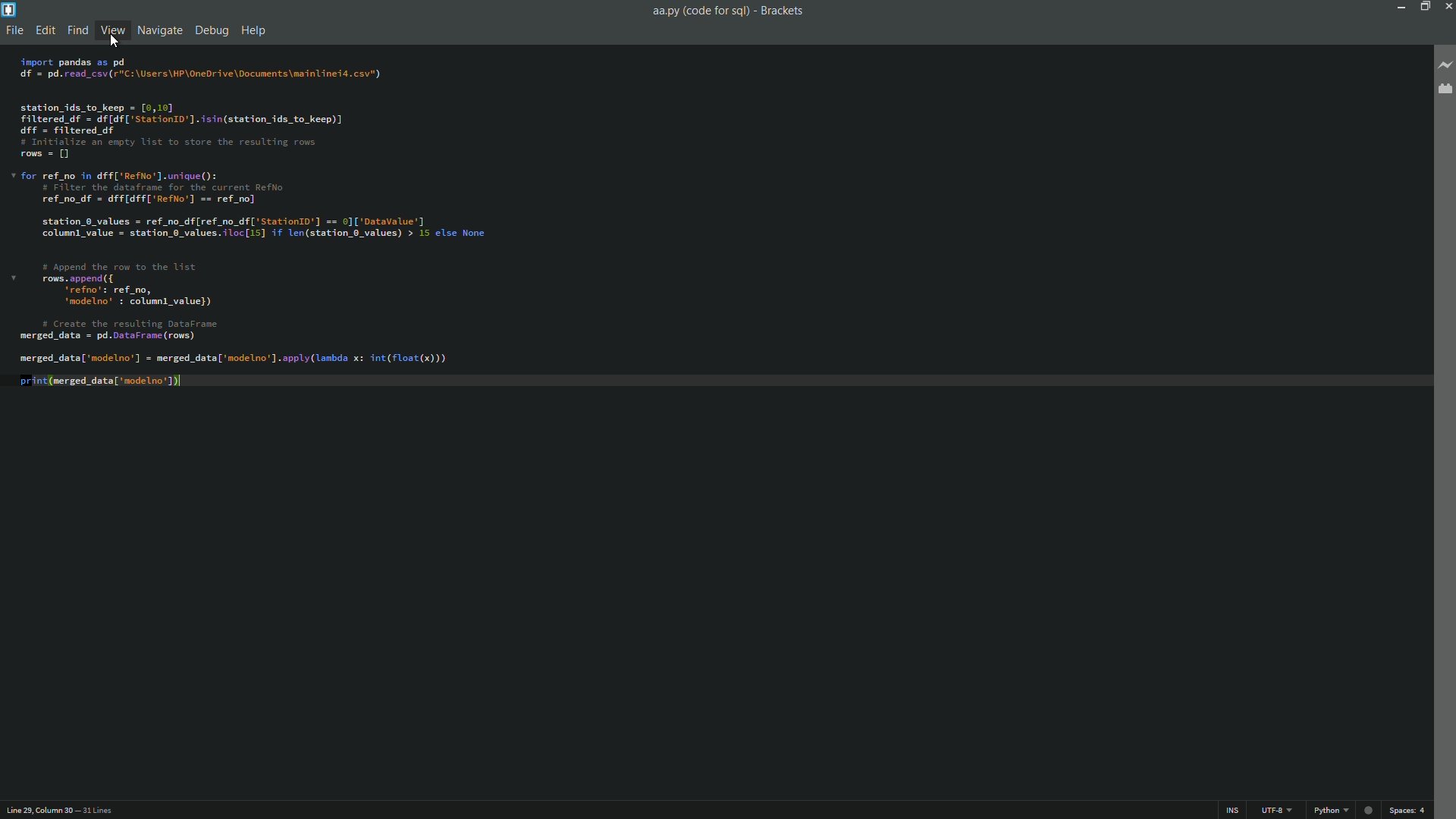  I want to click on change file format, so click(1331, 811).